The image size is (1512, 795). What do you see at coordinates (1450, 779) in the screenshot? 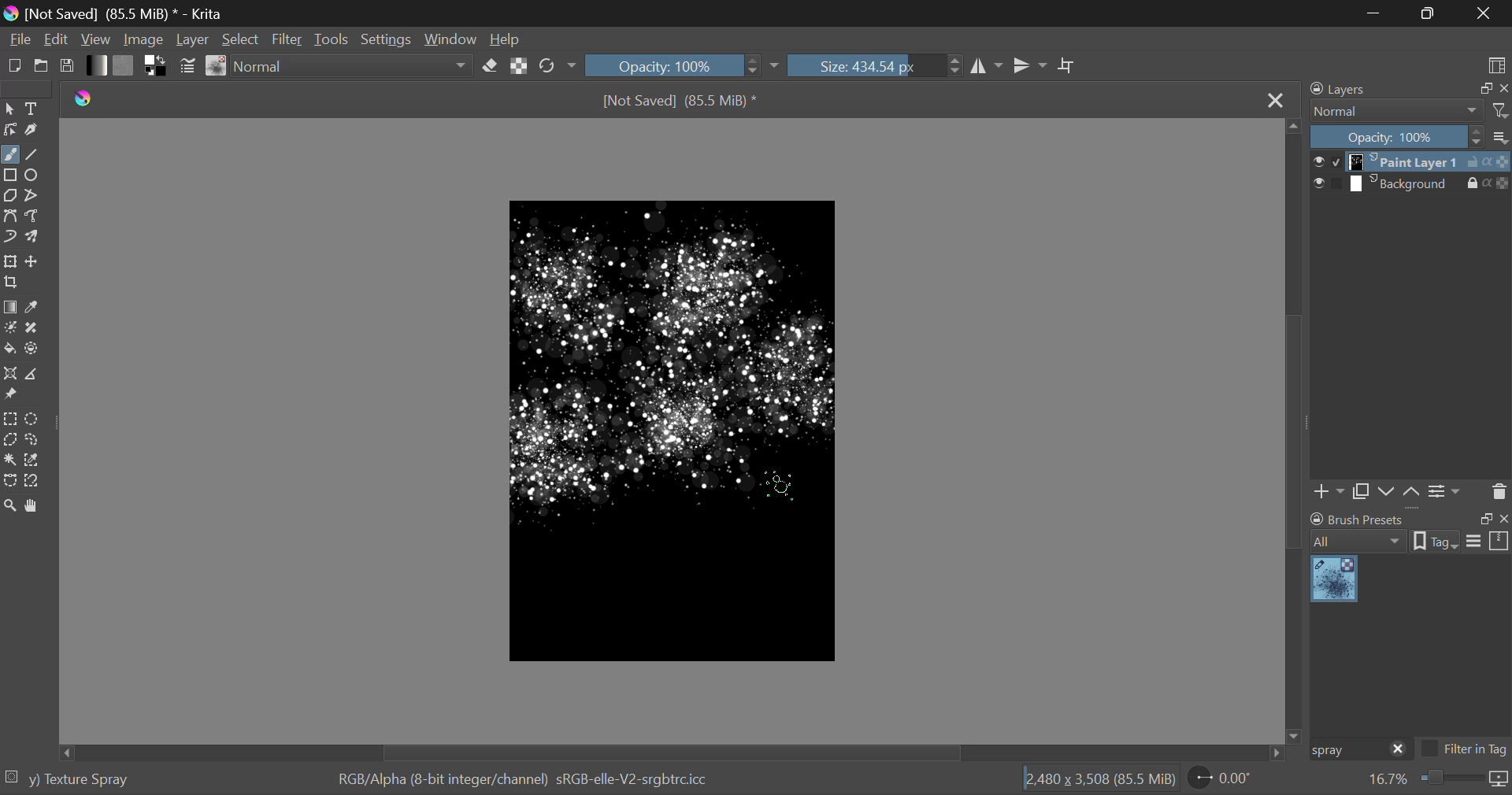
I see `zoom slider` at bounding box center [1450, 779].